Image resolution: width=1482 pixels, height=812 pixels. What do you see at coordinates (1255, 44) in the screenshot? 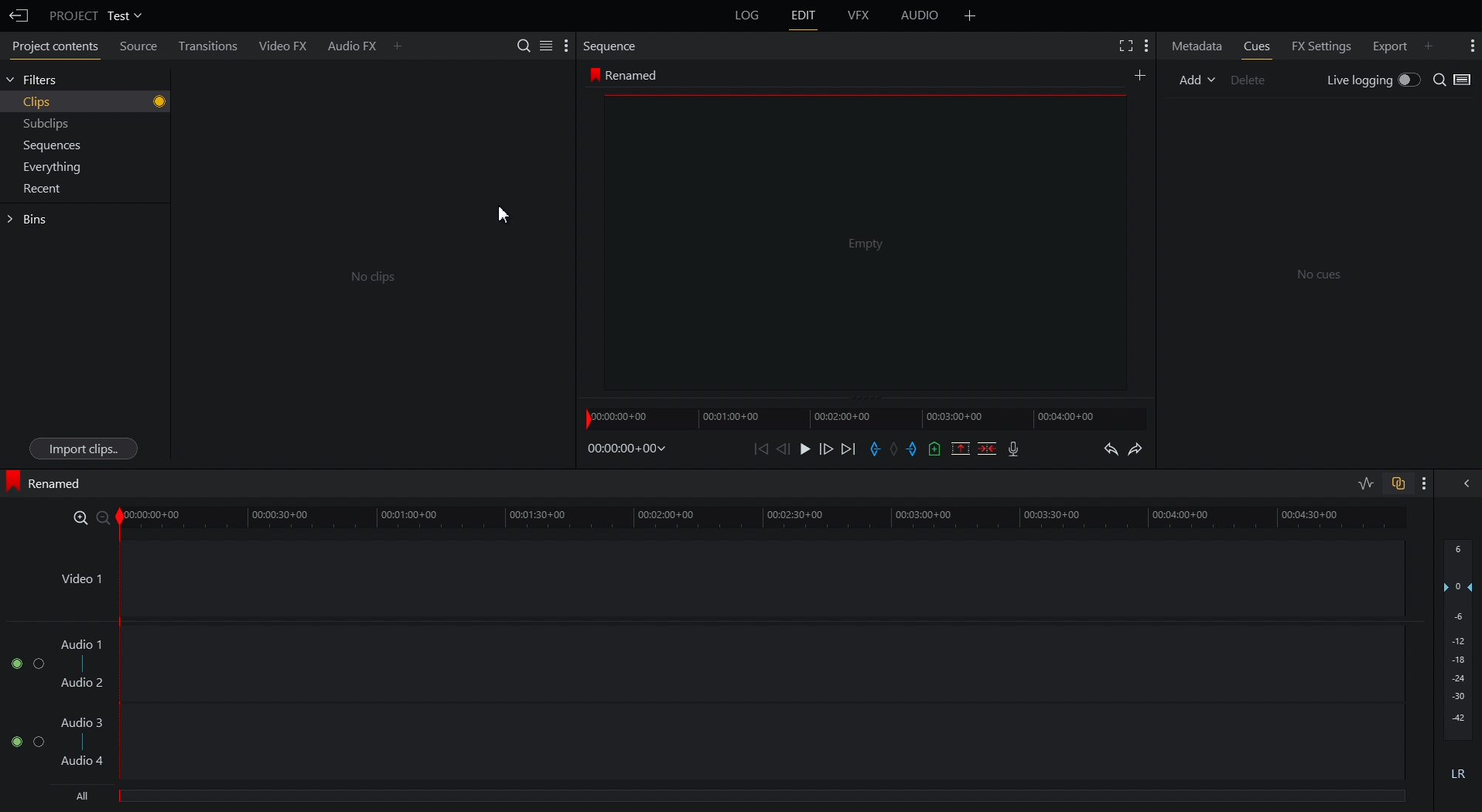
I see `Cues` at bounding box center [1255, 44].